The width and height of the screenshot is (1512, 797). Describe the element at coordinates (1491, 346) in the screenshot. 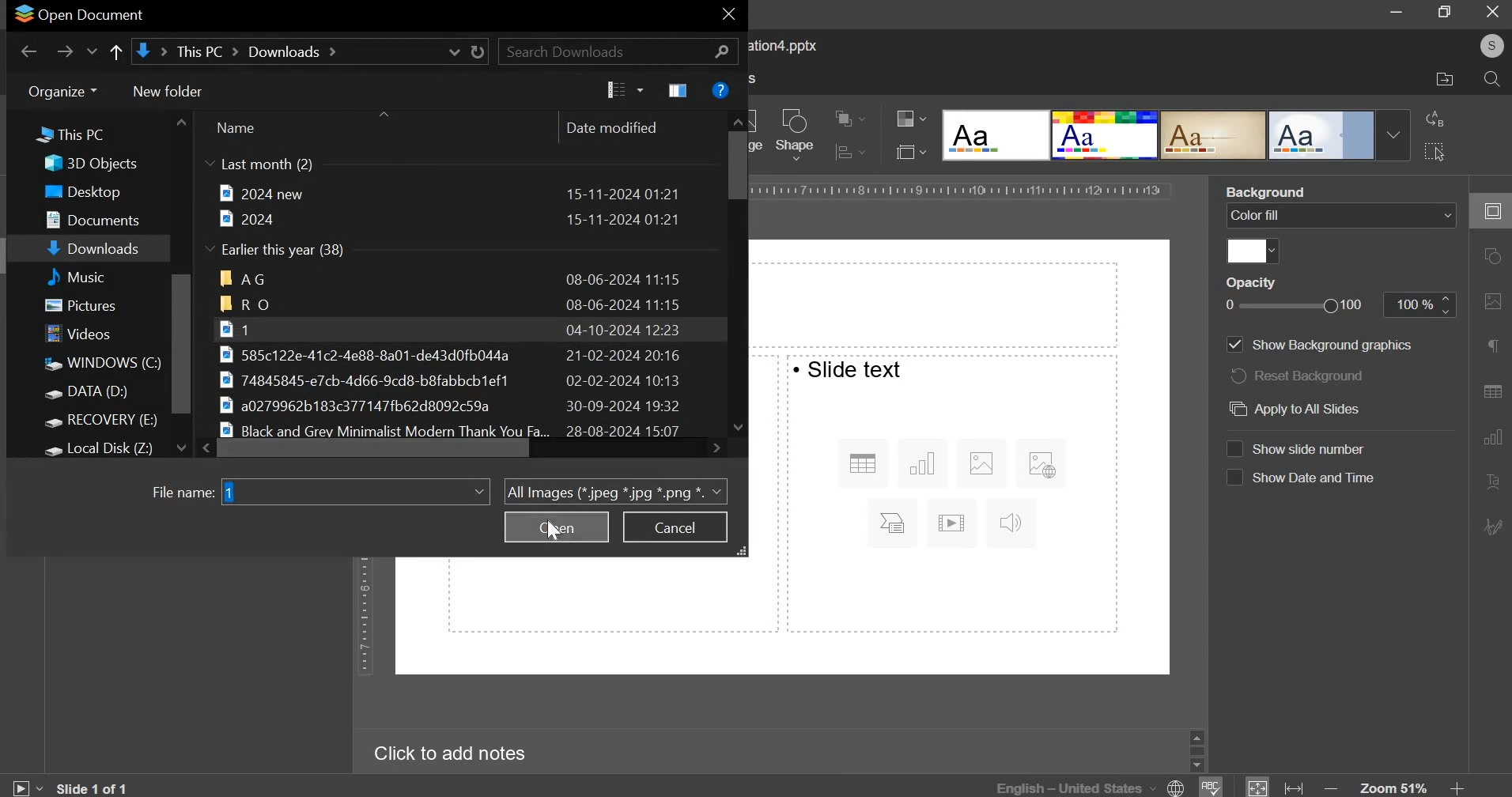

I see `paragraph settings` at that location.